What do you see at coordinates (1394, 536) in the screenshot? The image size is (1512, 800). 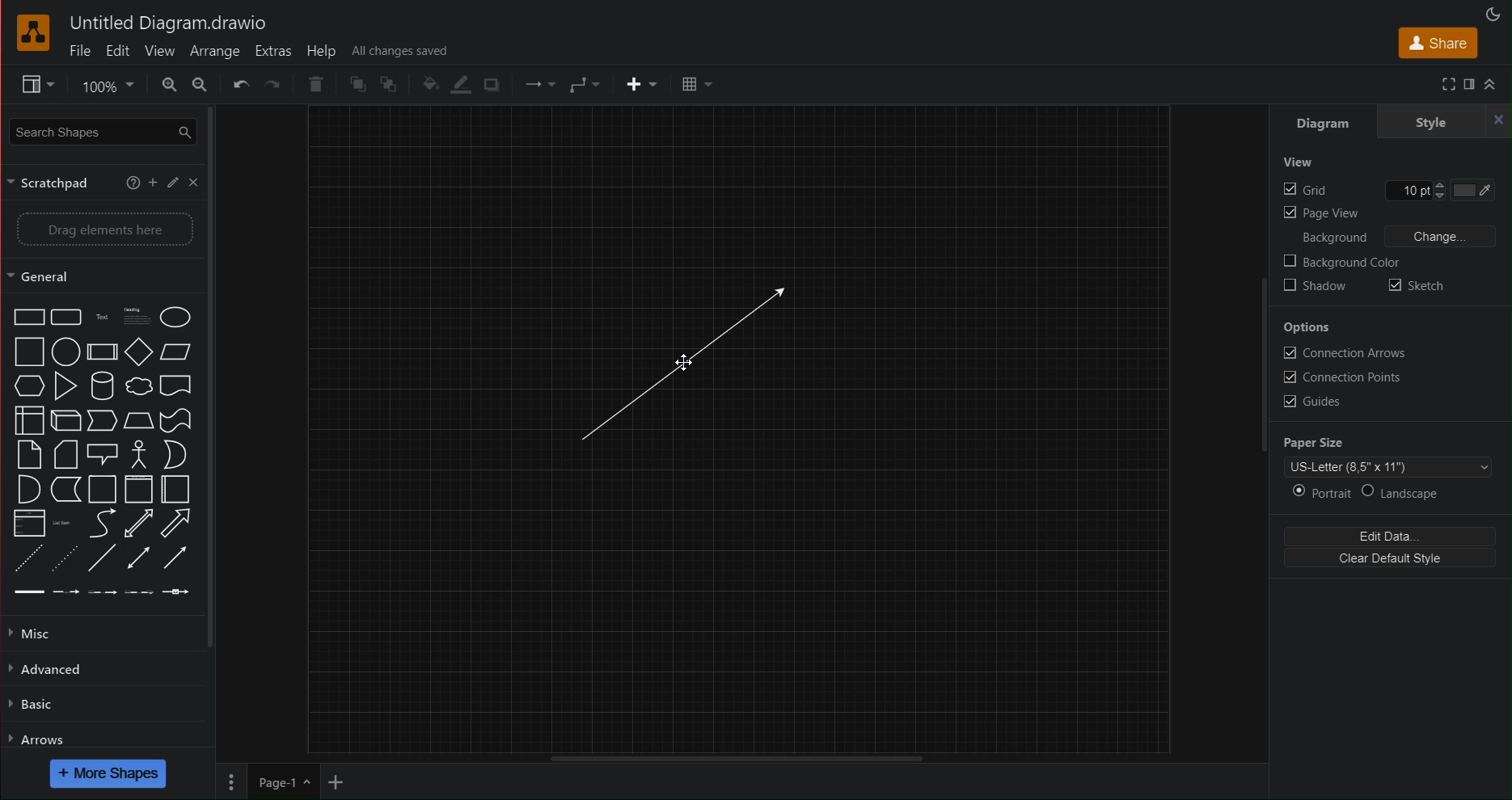 I see `Edit Data` at bounding box center [1394, 536].